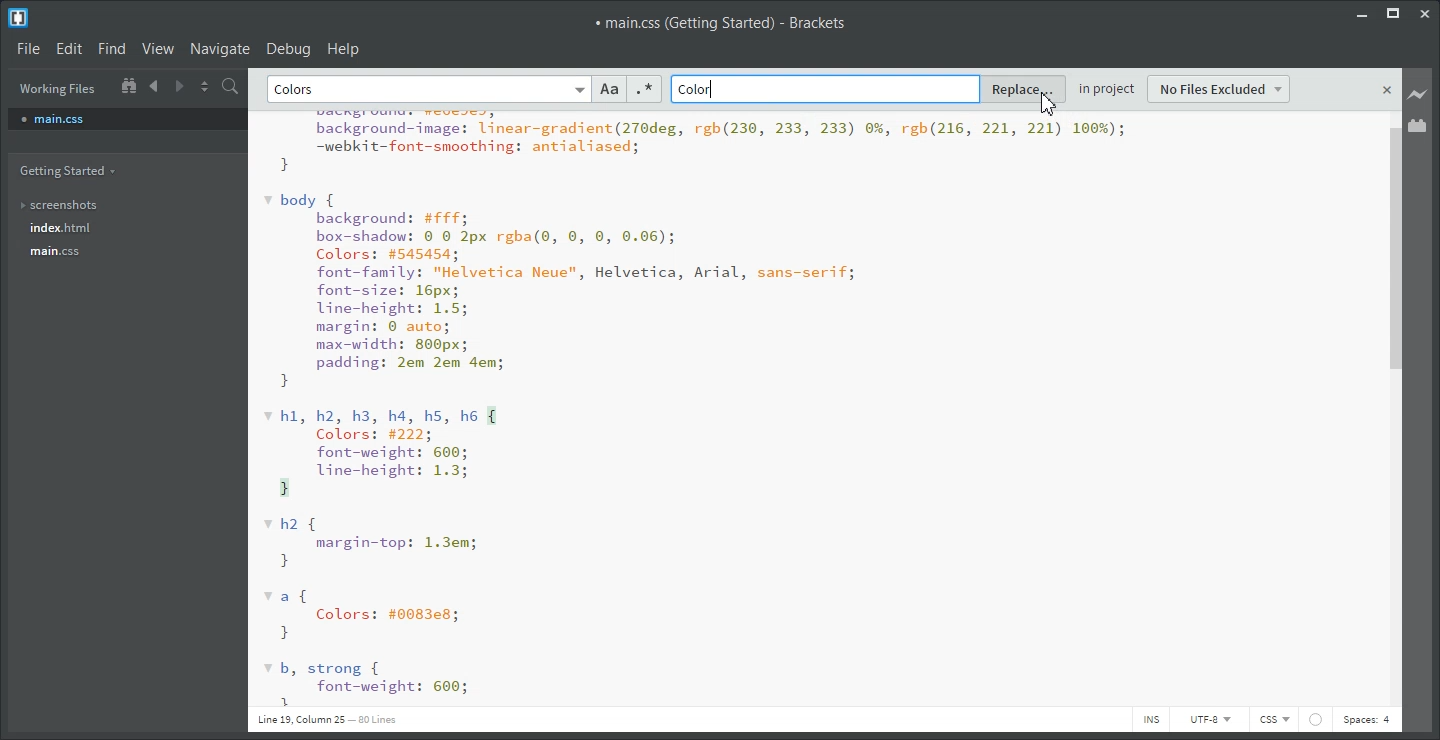 The width and height of the screenshot is (1440, 740). I want to click on main.css, so click(73, 251).